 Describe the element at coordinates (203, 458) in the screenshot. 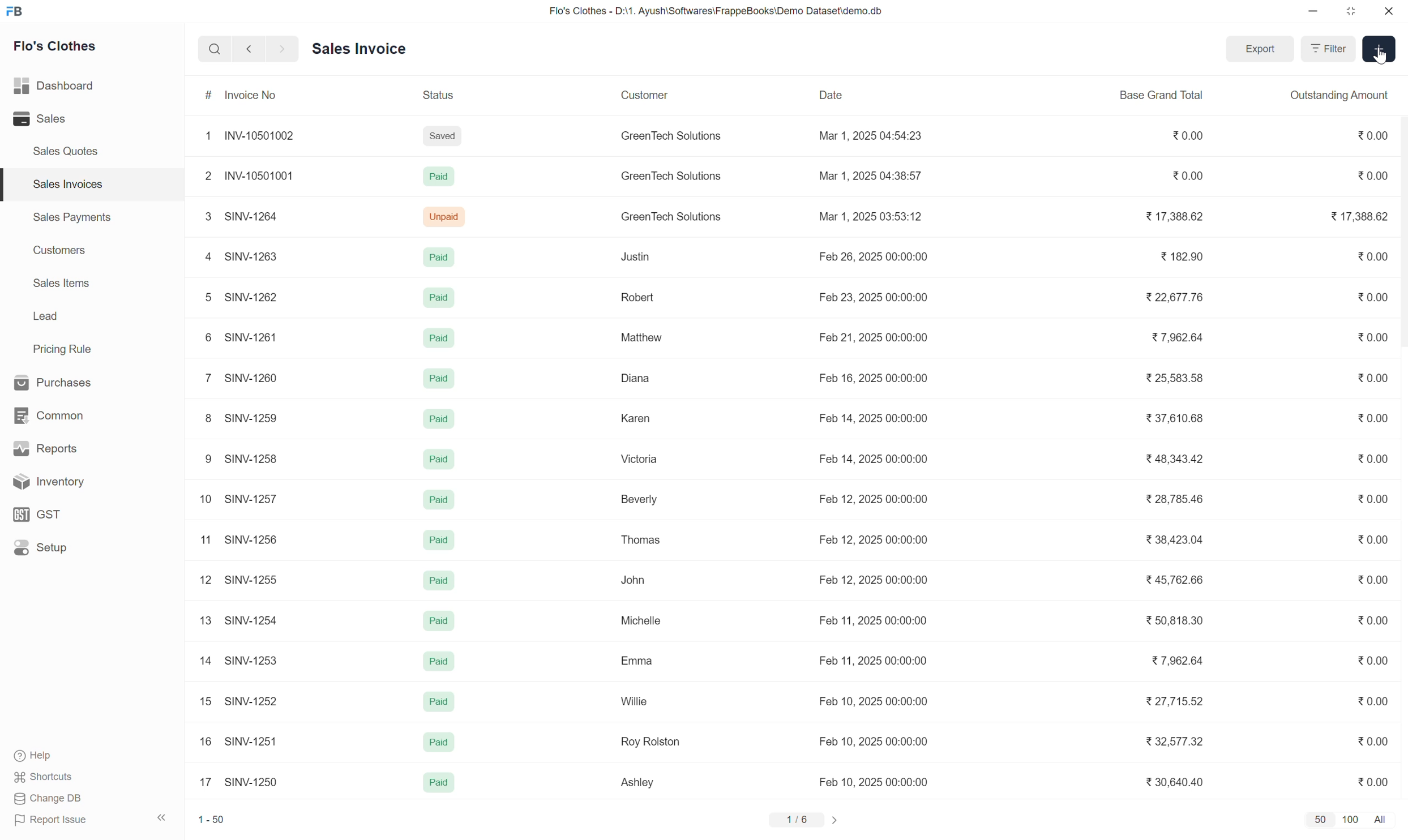

I see `9` at that location.